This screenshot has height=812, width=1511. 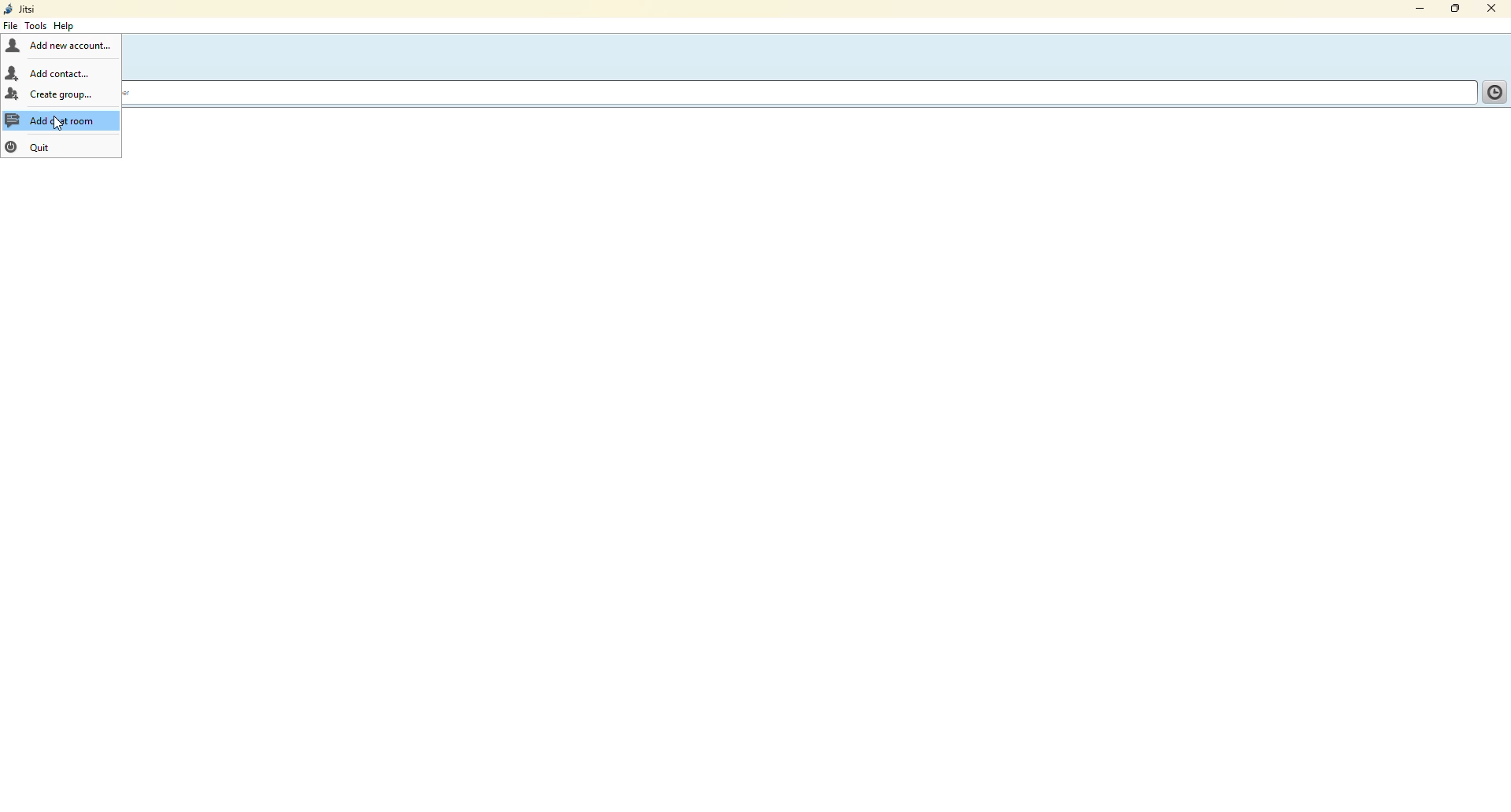 What do you see at coordinates (67, 72) in the screenshot?
I see `add contact` at bounding box center [67, 72].